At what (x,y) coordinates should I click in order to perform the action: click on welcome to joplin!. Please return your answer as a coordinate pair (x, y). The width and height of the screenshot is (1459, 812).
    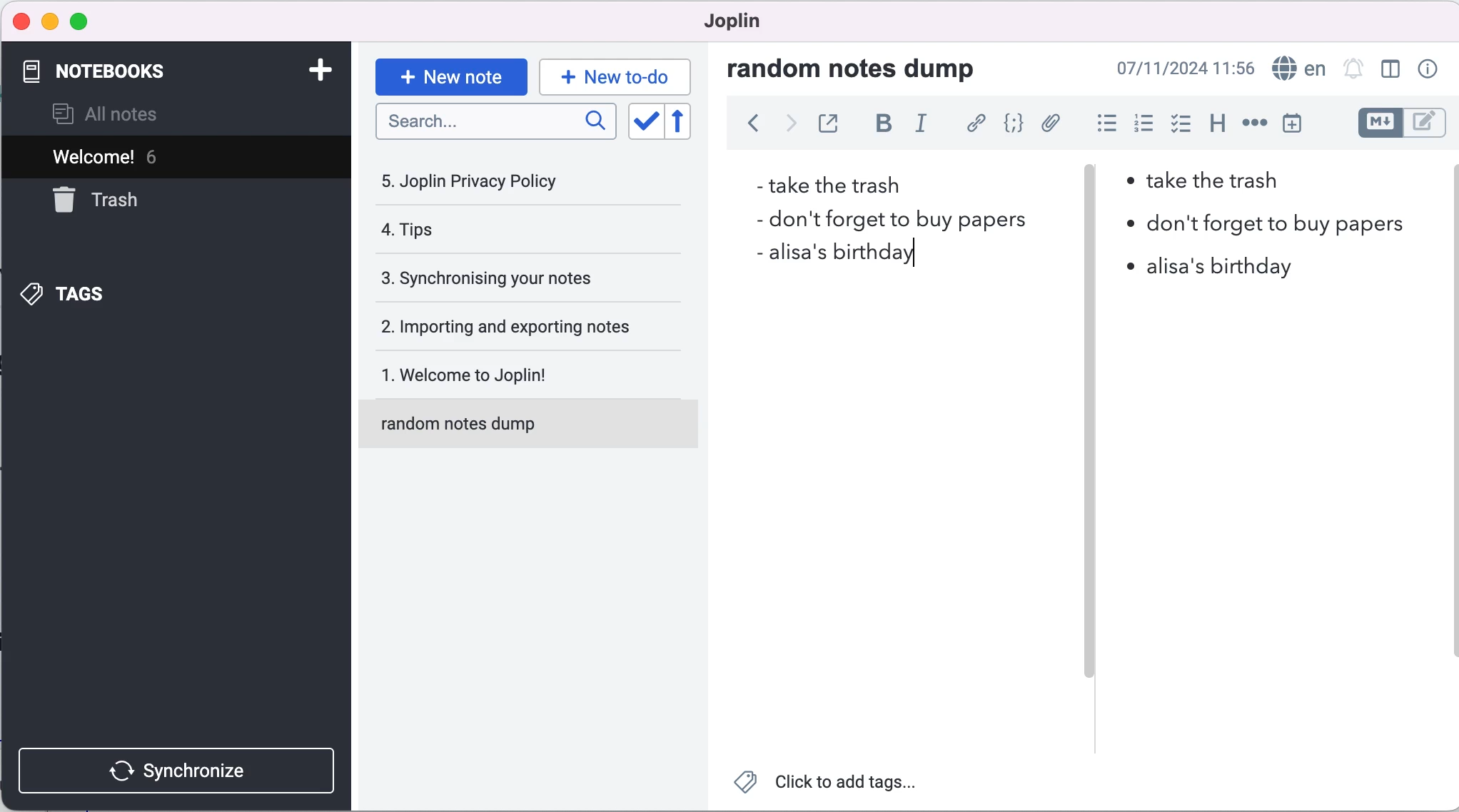
    Looking at the image, I should click on (515, 377).